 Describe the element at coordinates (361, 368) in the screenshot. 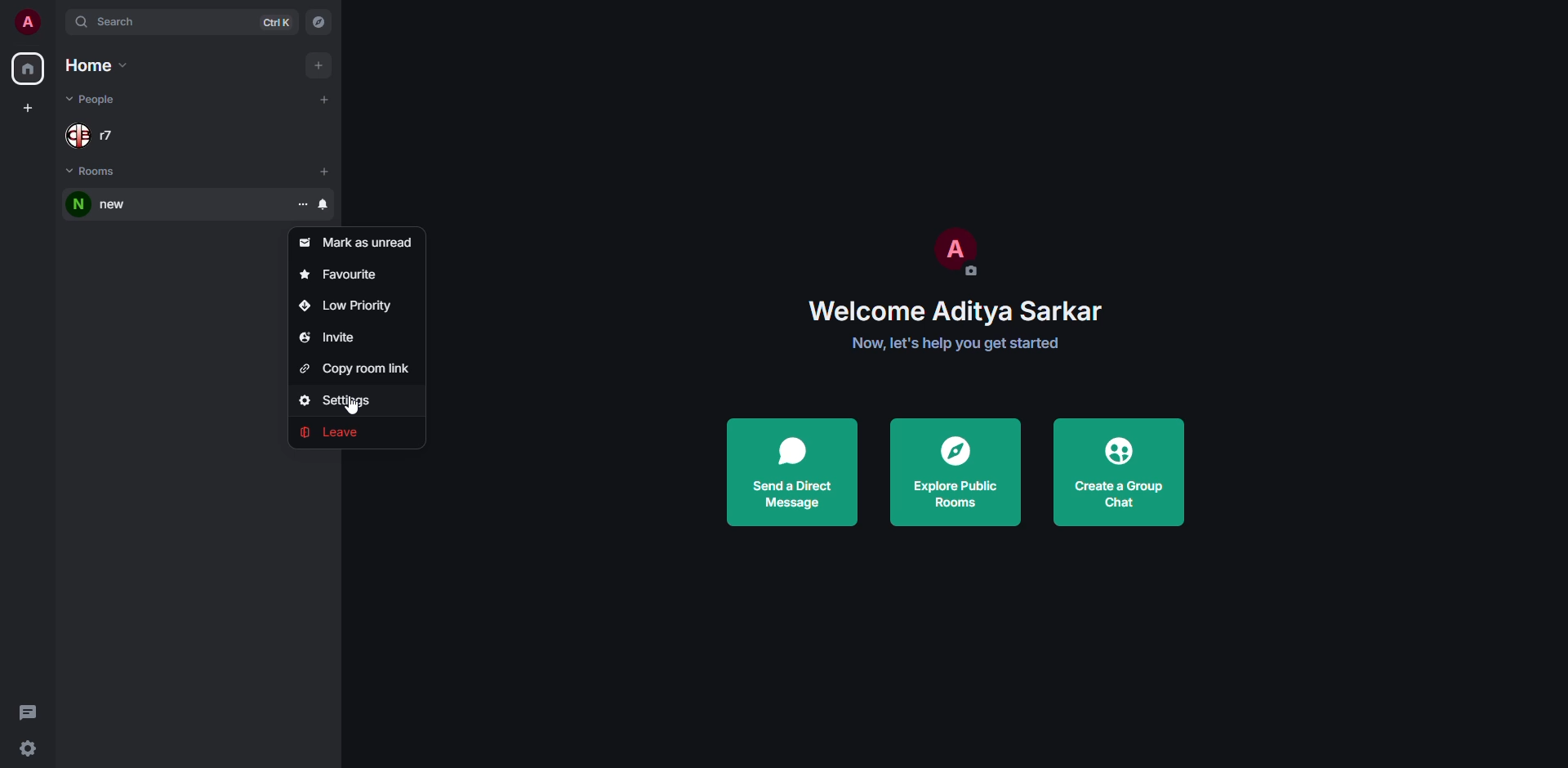

I see `copy room link` at that location.